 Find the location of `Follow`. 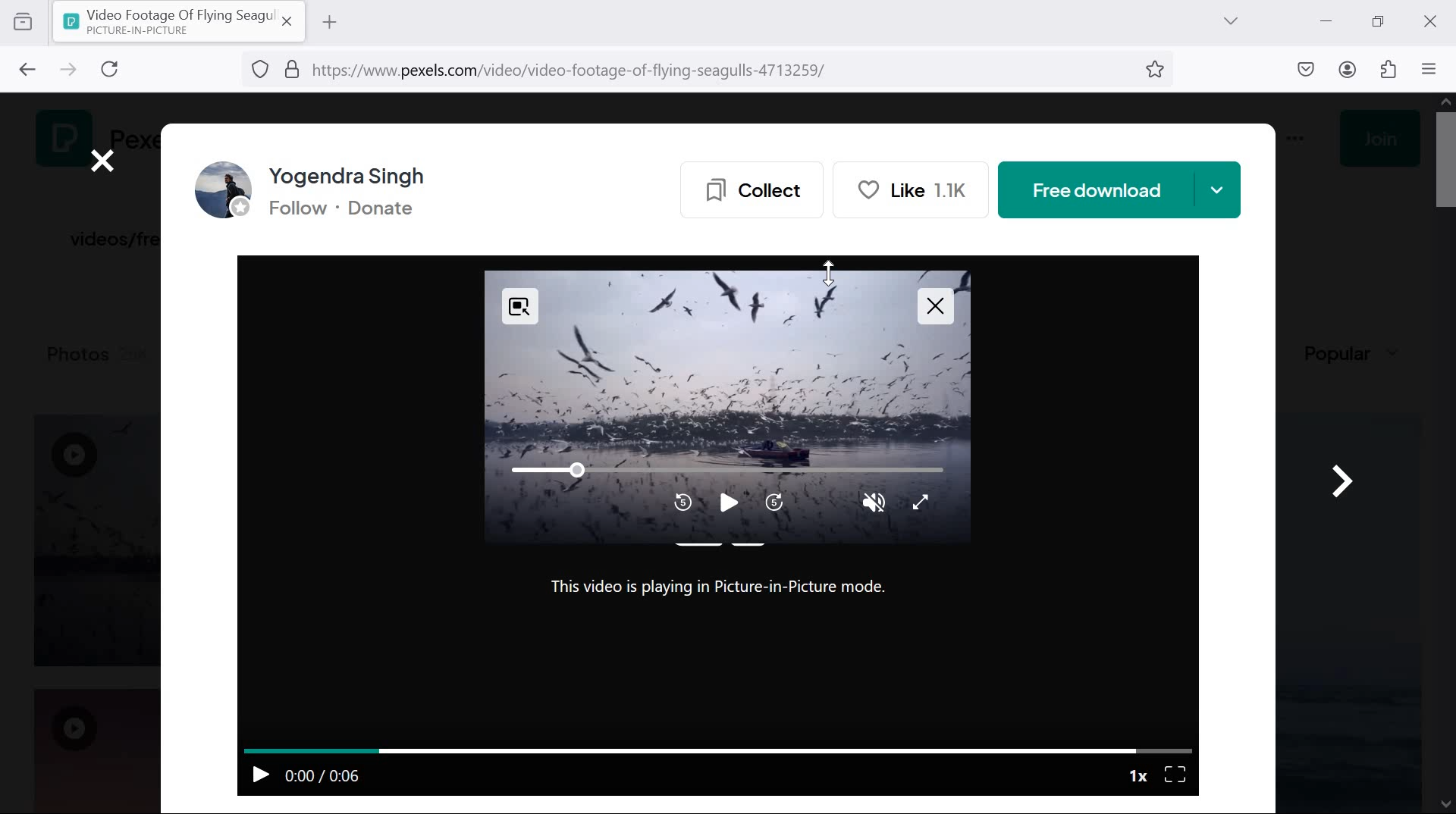

Follow is located at coordinates (295, 211).